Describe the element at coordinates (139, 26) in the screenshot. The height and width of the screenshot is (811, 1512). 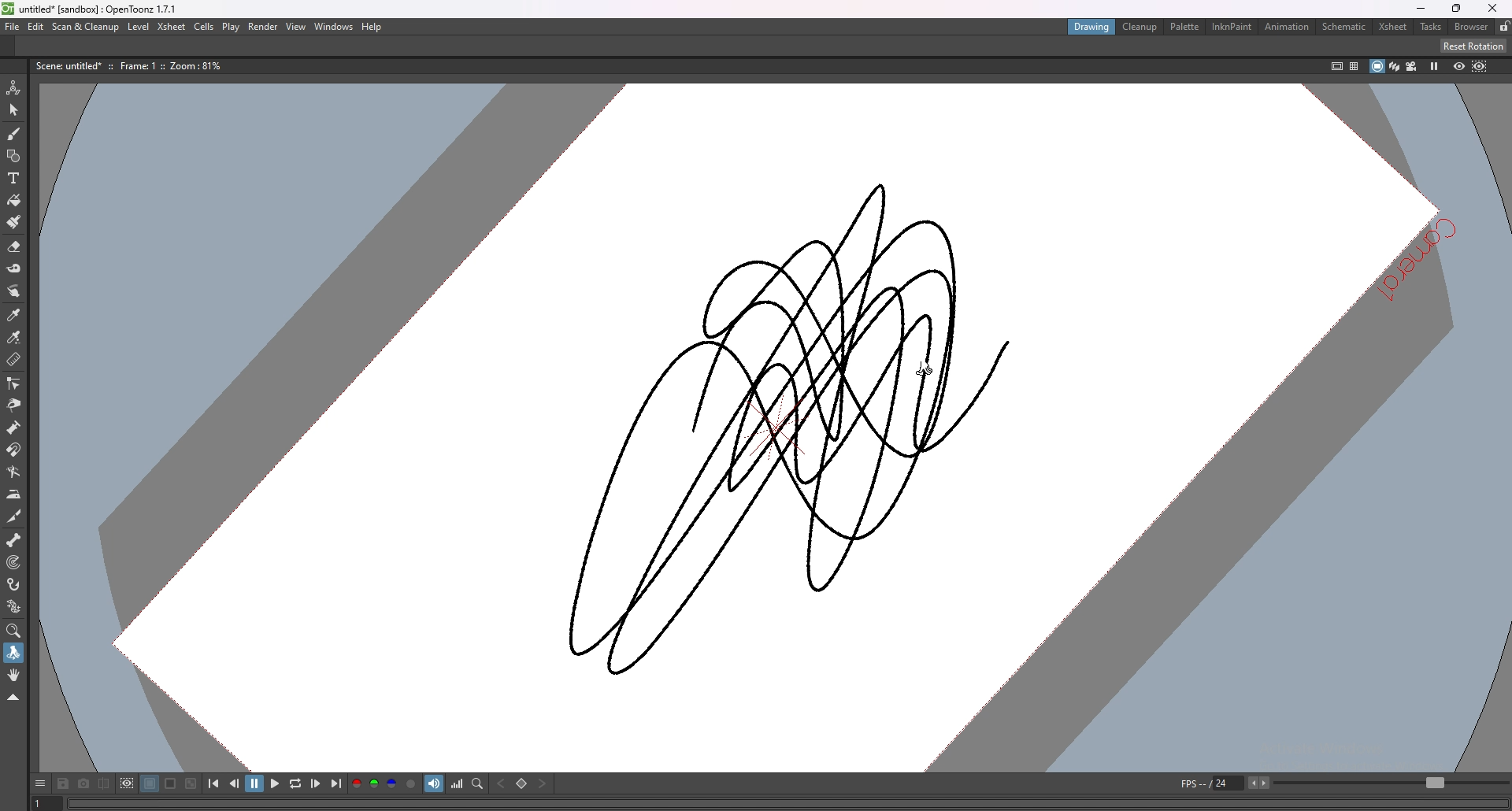
I see `level` at that location.